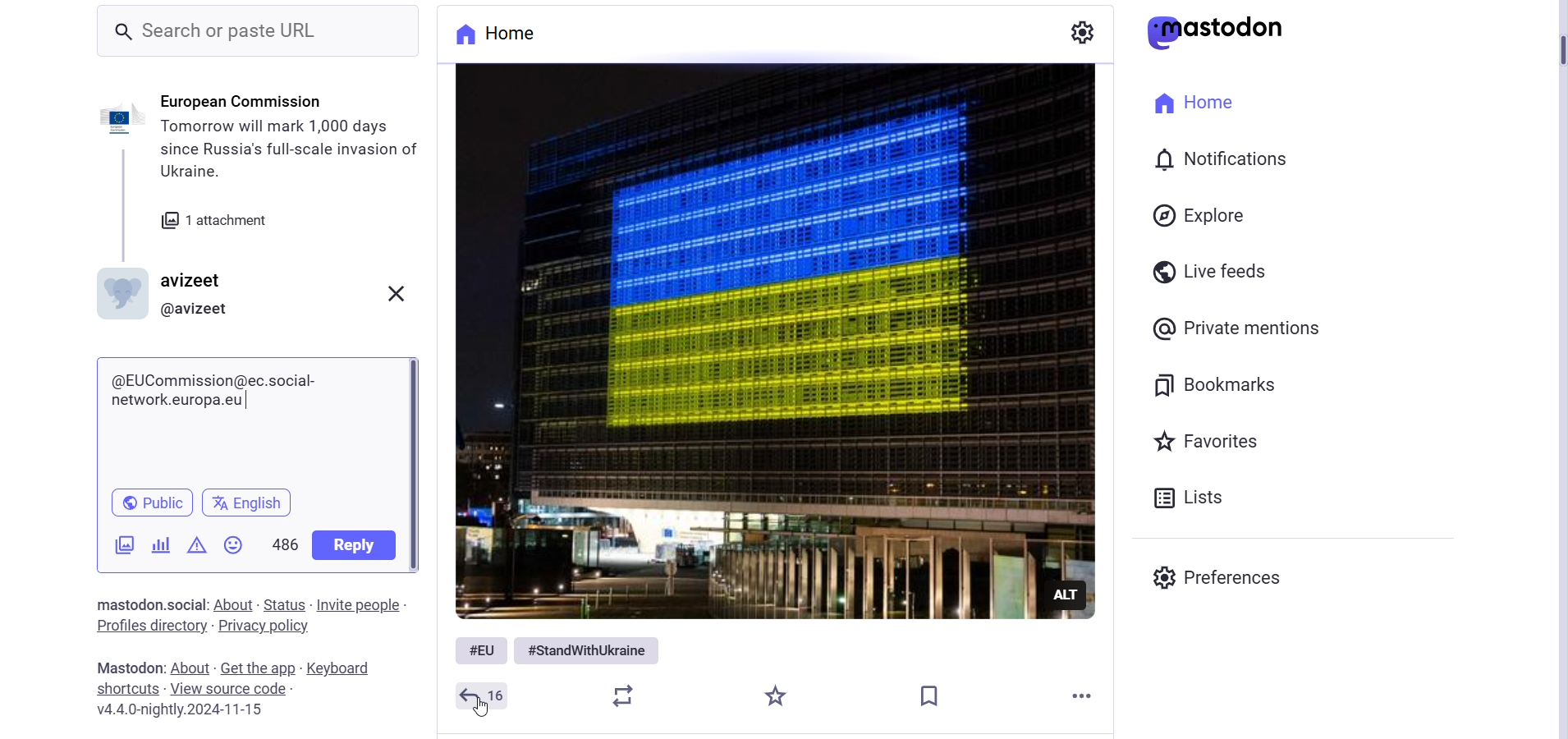 Image resolution: width=1568 pixels, height=739 pixels. What do you see at coordinates (125, 545) in the screenshot?
I see `Add Images` at bounding box center [125, 545].